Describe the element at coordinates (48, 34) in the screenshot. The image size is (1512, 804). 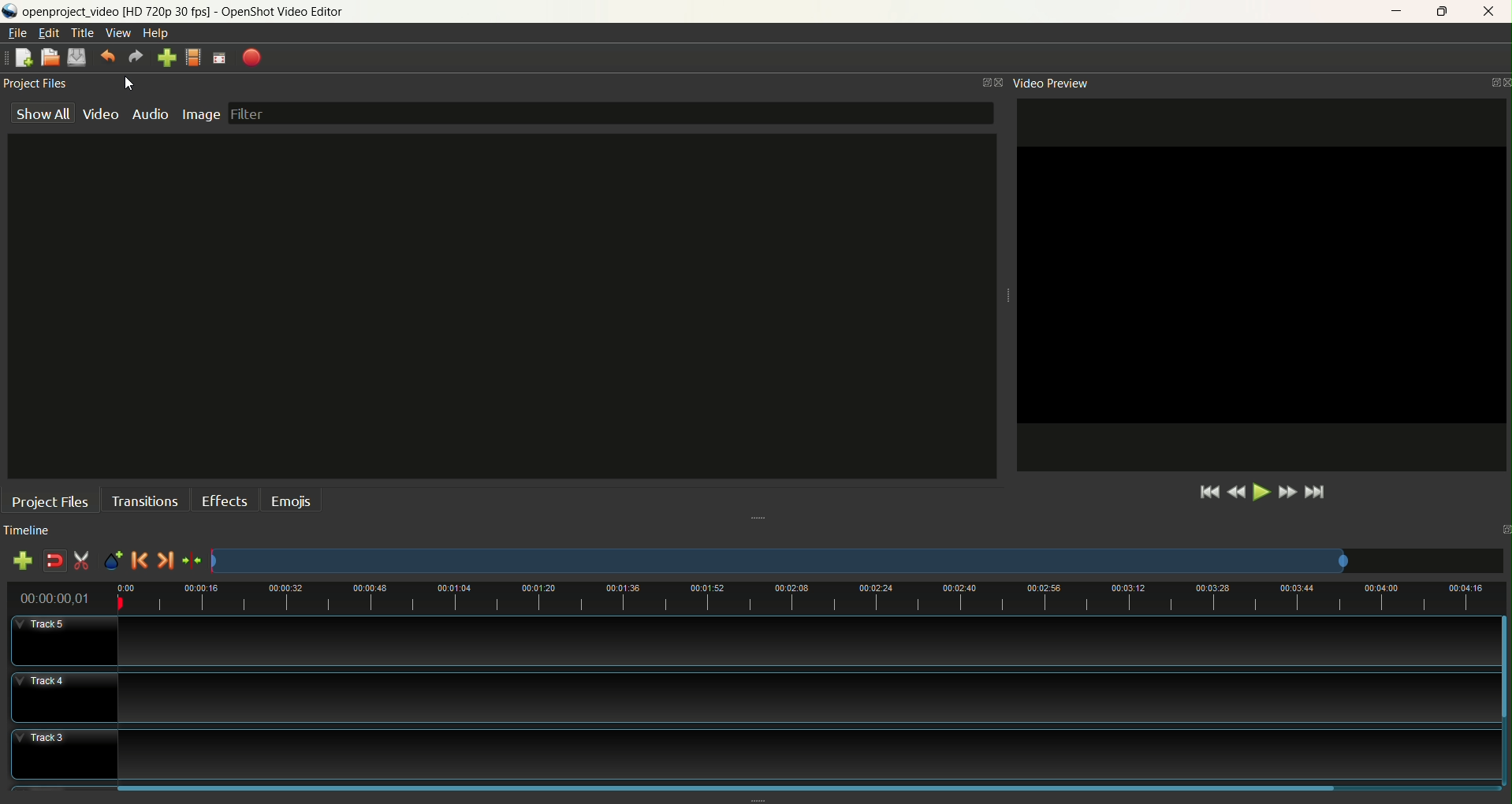
I see `edit` at that location.